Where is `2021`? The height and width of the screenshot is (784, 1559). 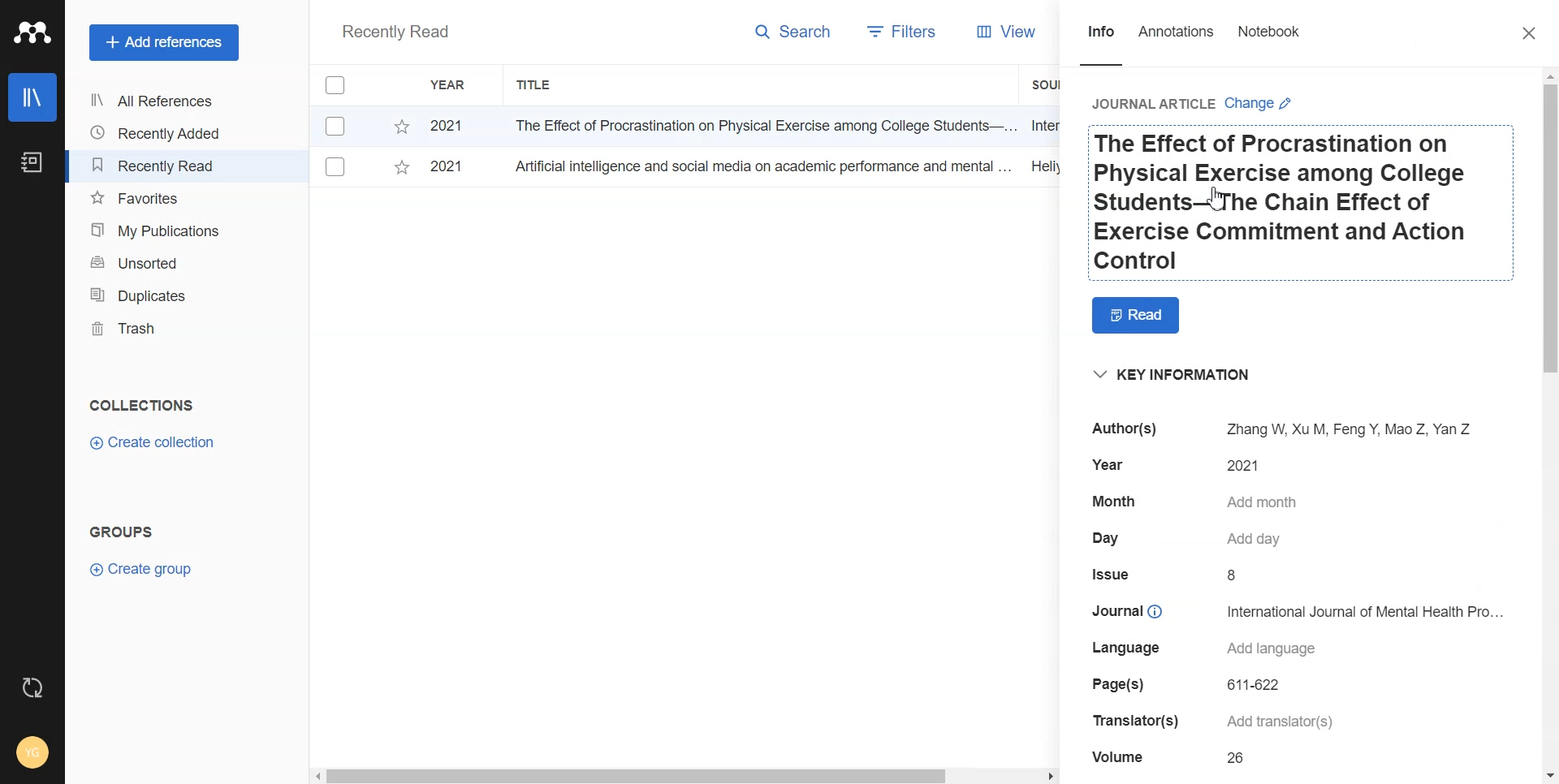
2021 is located at coordinates (446, 165).